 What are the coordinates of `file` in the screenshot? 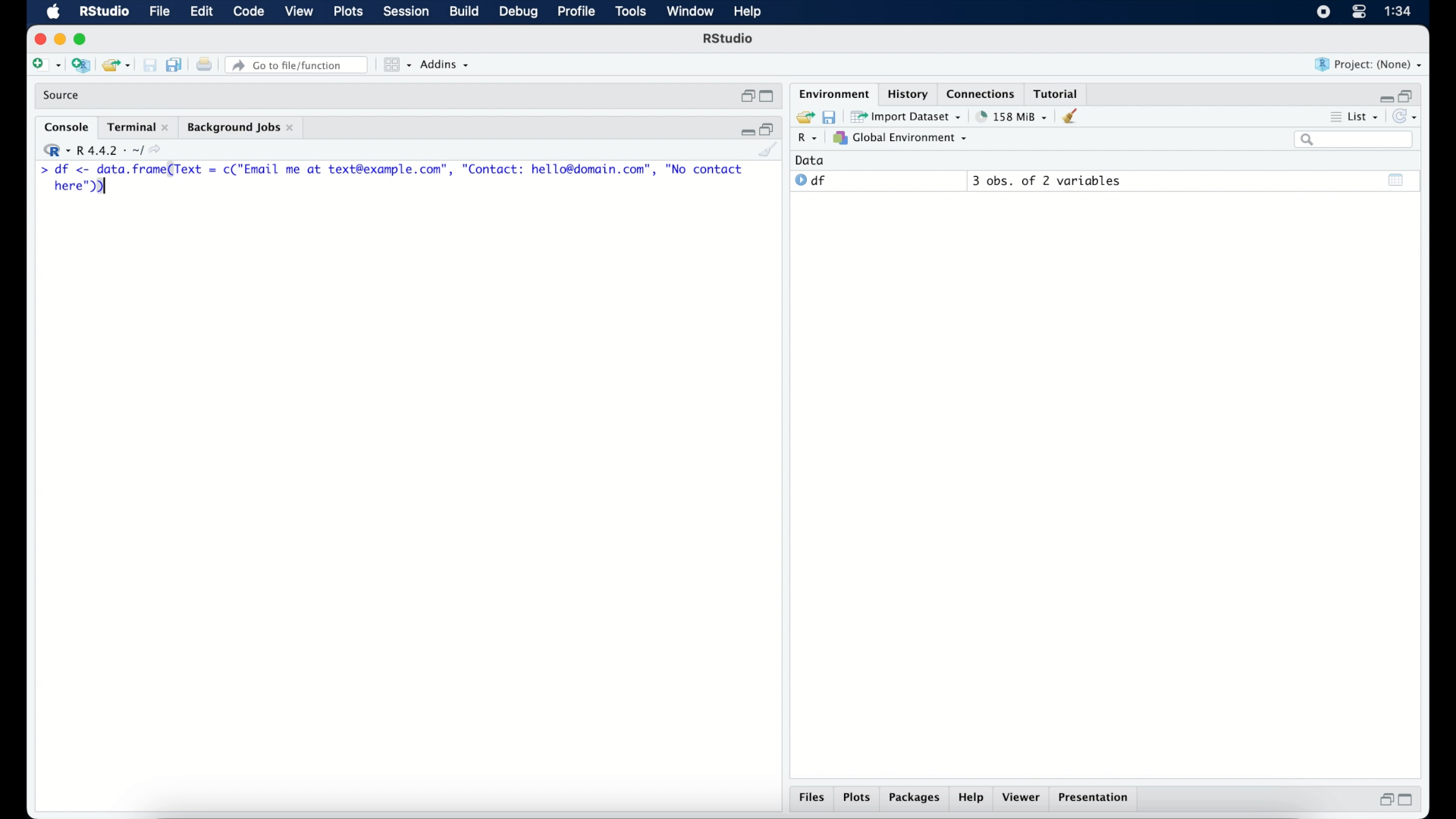 It's located at (160, 12).